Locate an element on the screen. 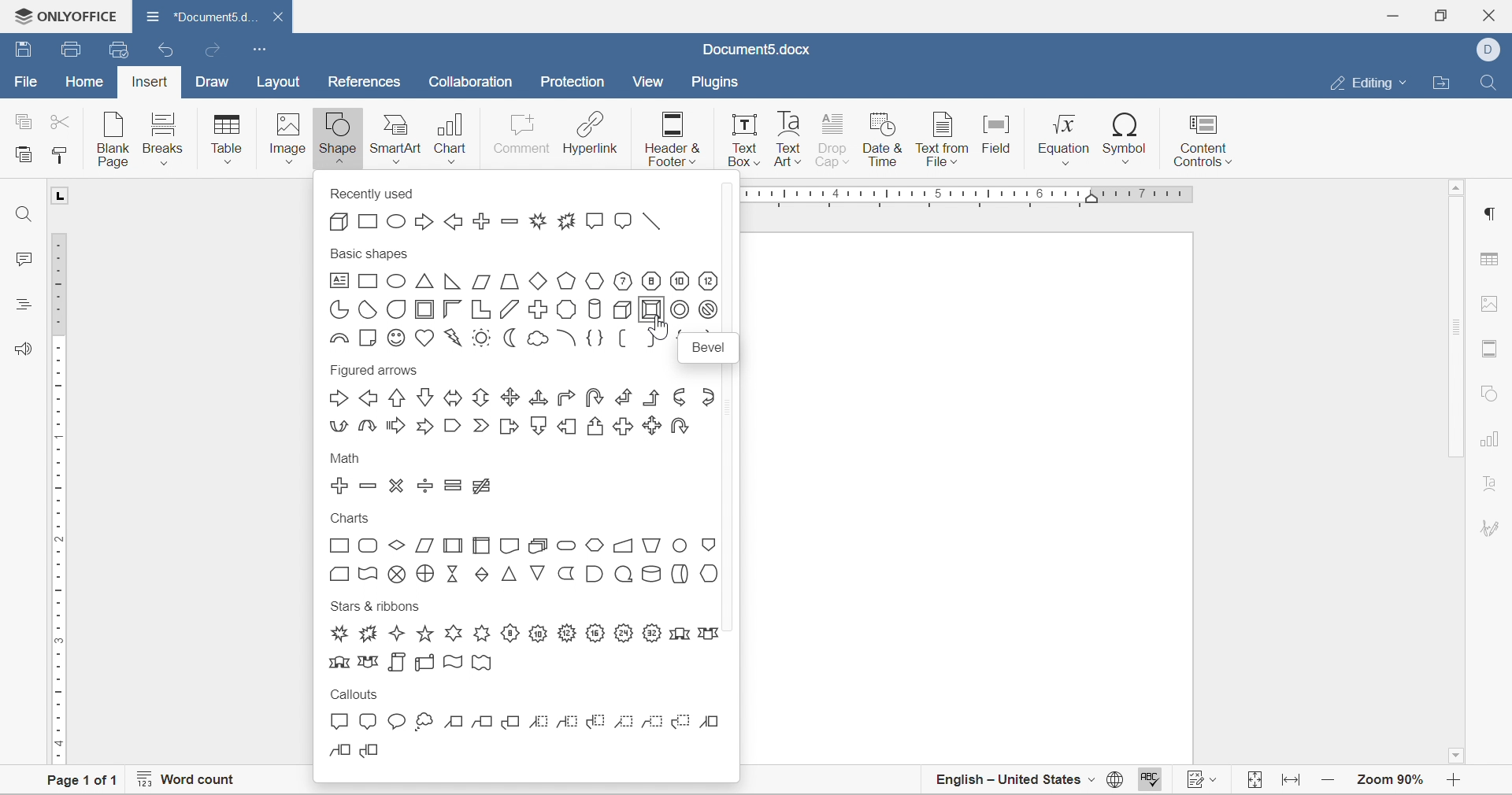 This screenshot has width=1512, height=795. table settings is located at coordinates (1497, 259).